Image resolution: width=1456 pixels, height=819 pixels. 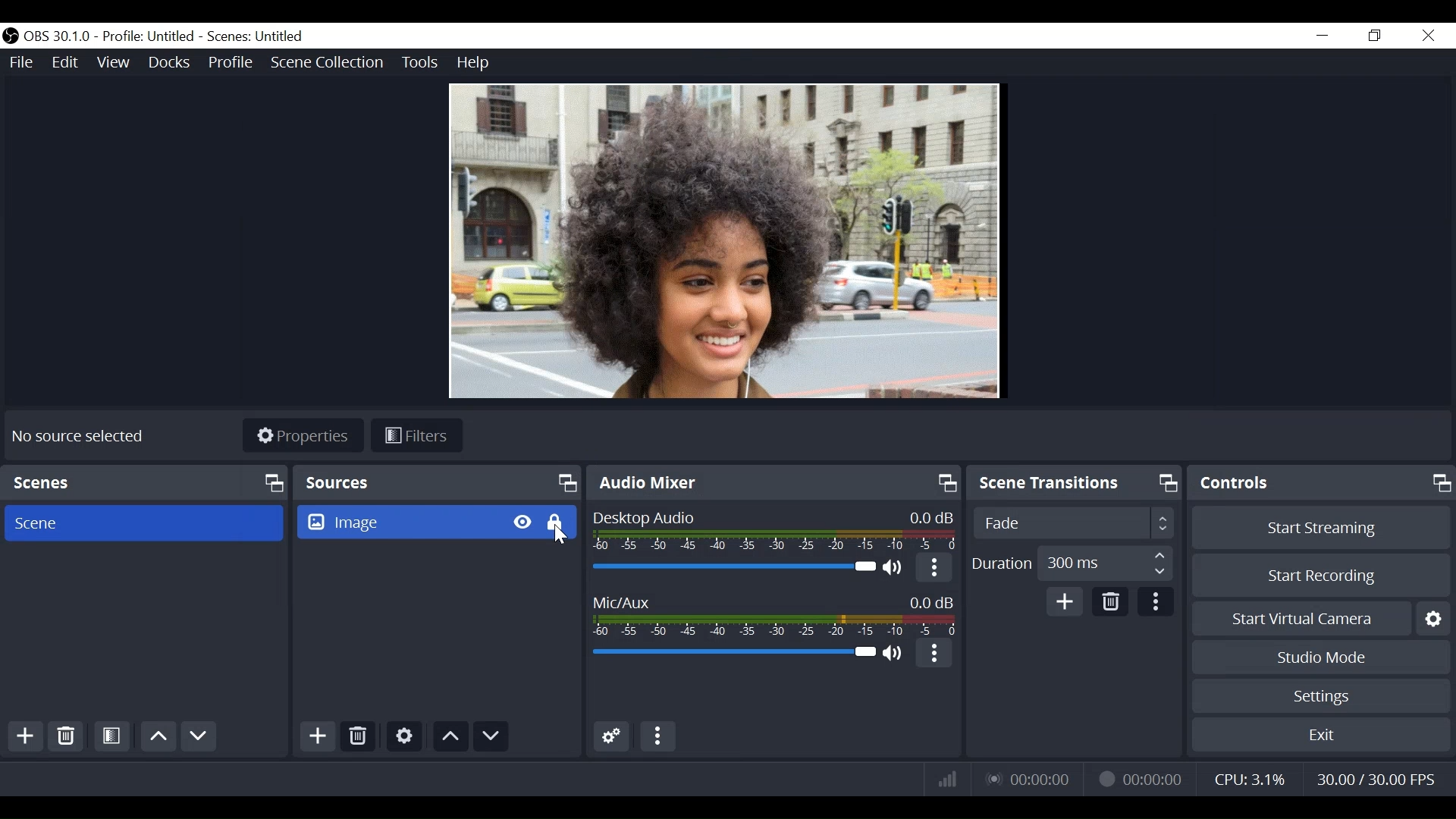 What do you see at coordinates (770, 531) in the screenshot?
I see `Desktop Audio` at bounding box center [770, 531].